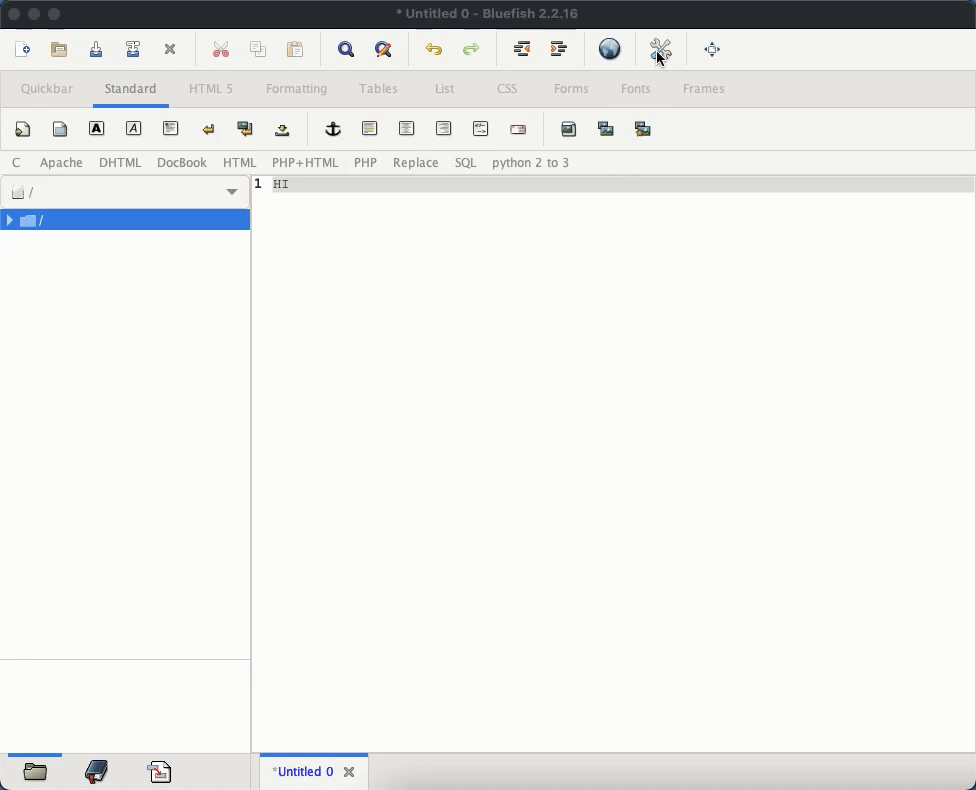 The width and height of the screenshot is (976, 790). What do you see at coordinates (134, 90) in the screenshot?
I see `standard` at bounding box center [134, 90].